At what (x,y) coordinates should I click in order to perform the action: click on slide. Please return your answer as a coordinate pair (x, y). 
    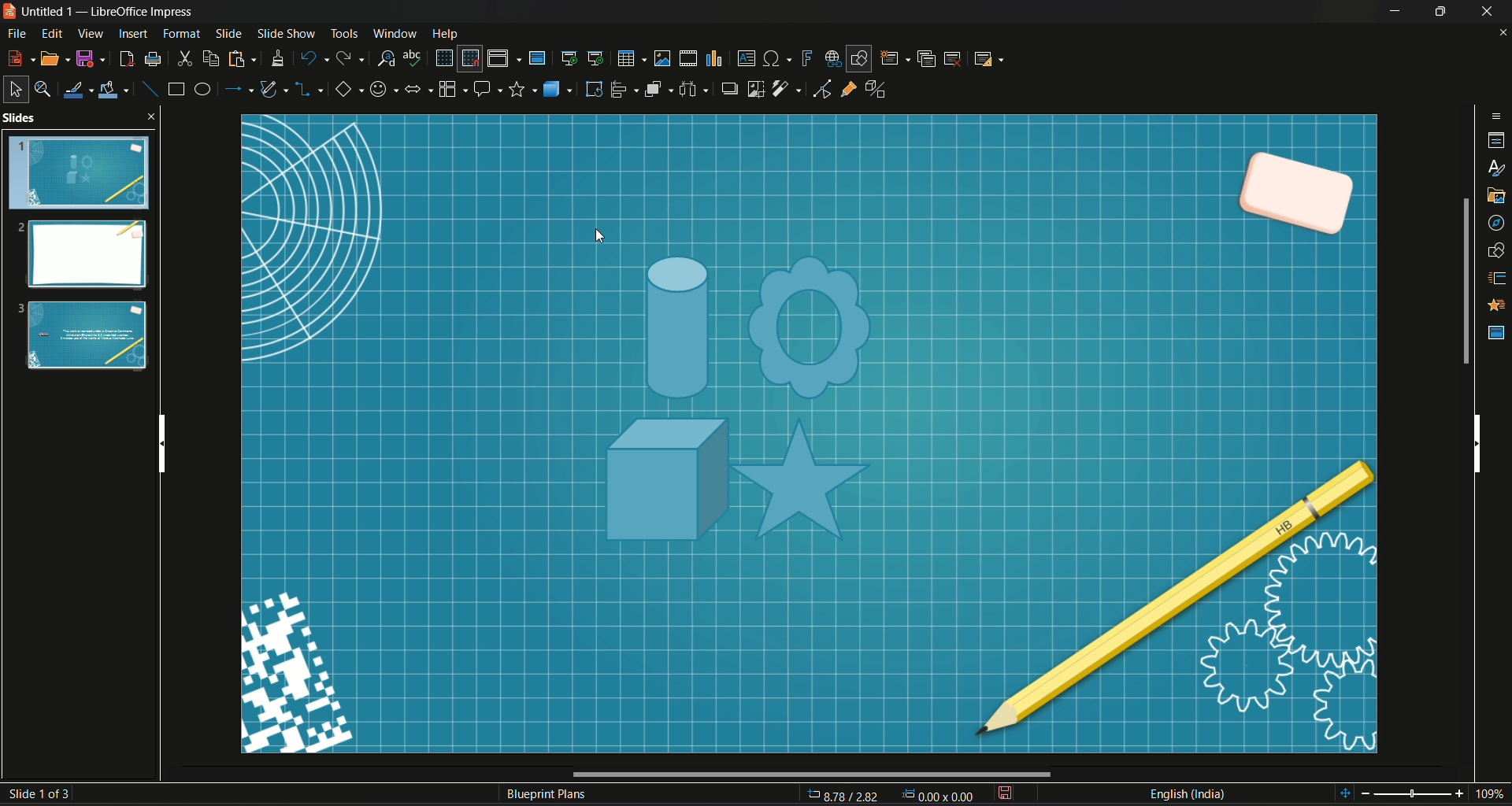
    Looking at the image, I should click on (806, 437).